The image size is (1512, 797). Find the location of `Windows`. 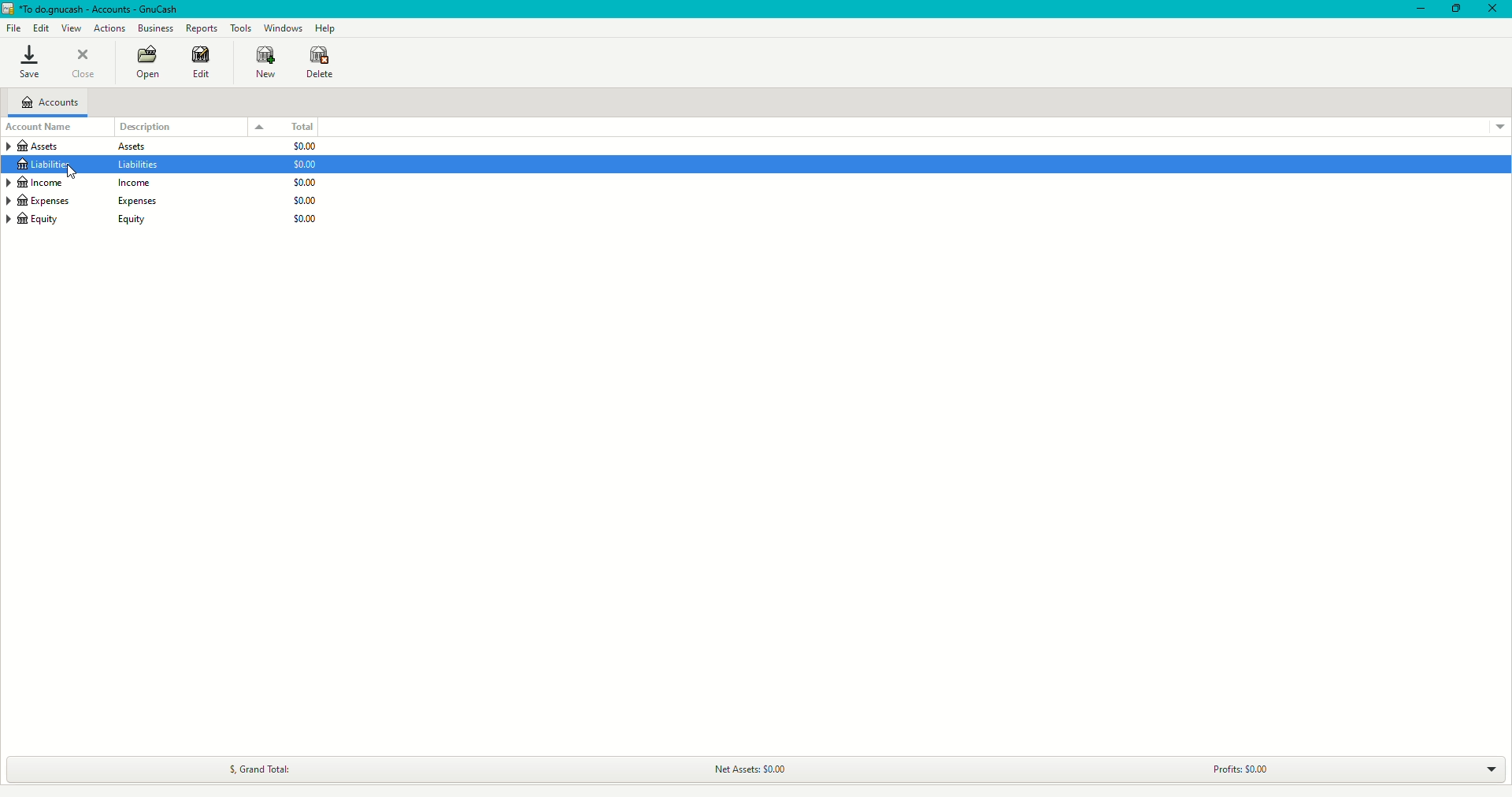

Windows is located at coordinates (285, 28).